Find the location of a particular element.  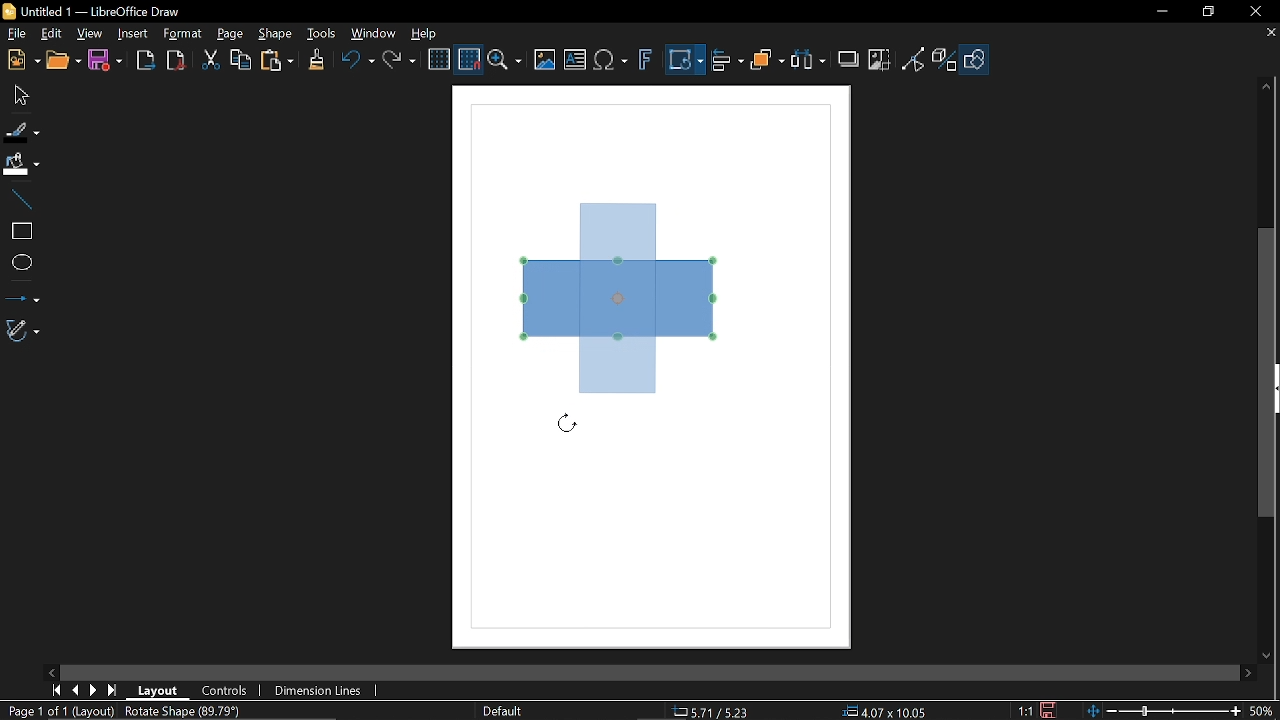

Zoom is located at coordinates (505, 61).